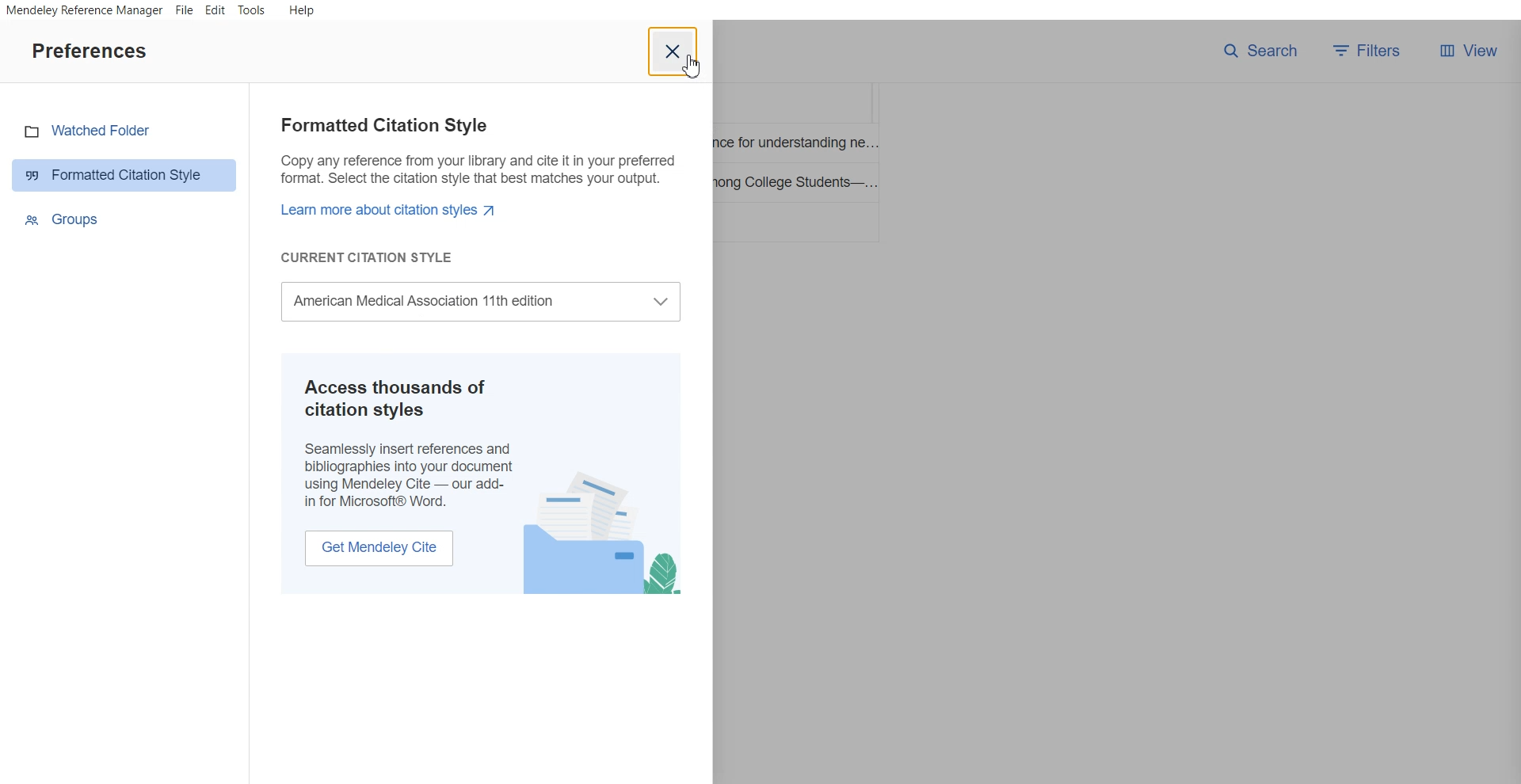  What do you see at coordinates (1371, 51) in the screenshot?
I see `Filters` at bounding box center [1371, 51].